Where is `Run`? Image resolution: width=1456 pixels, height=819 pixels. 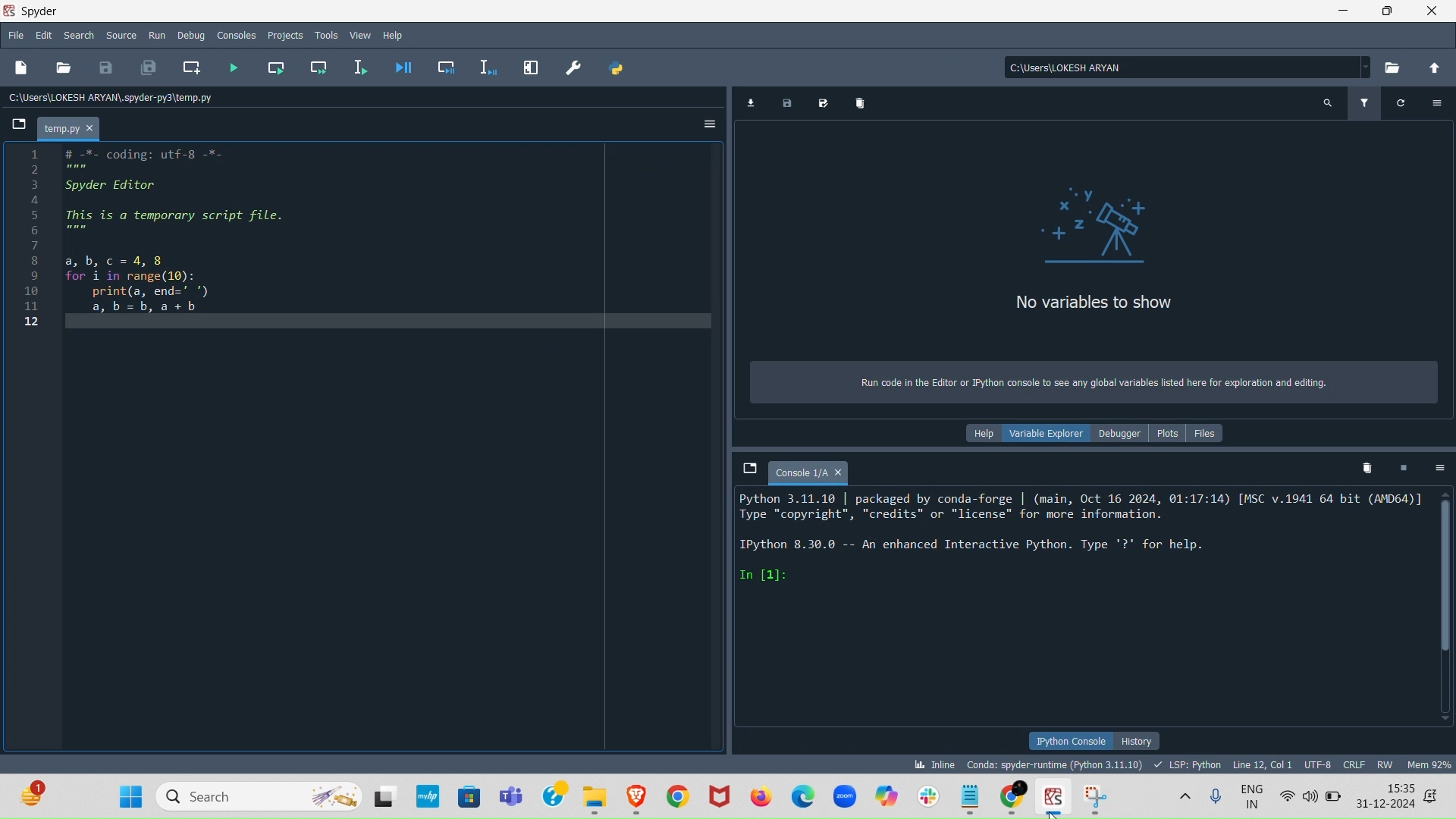
Run is located at coordinates (157, 35).